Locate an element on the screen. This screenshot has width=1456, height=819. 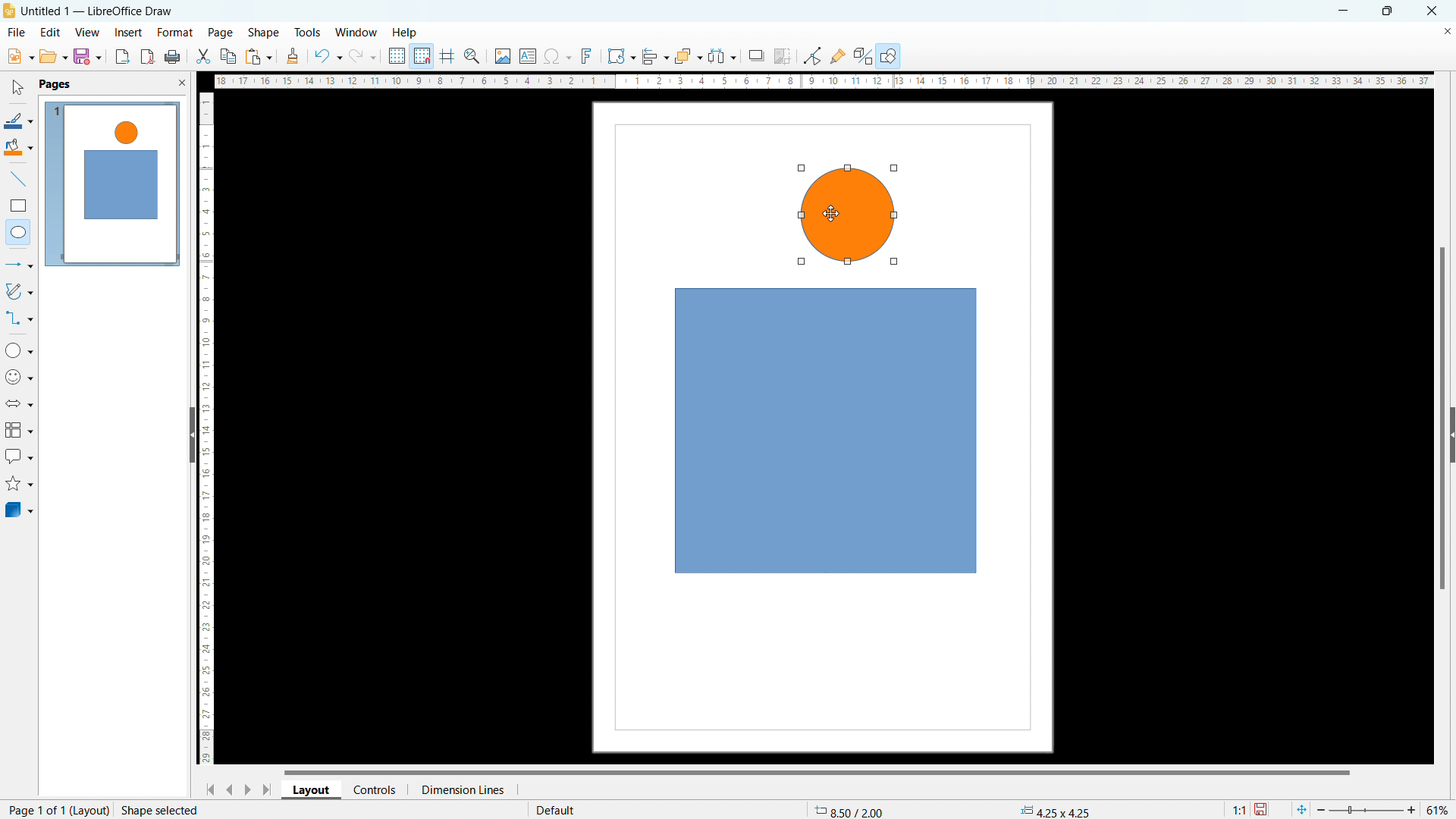
page is located at coordinates (221, 32).